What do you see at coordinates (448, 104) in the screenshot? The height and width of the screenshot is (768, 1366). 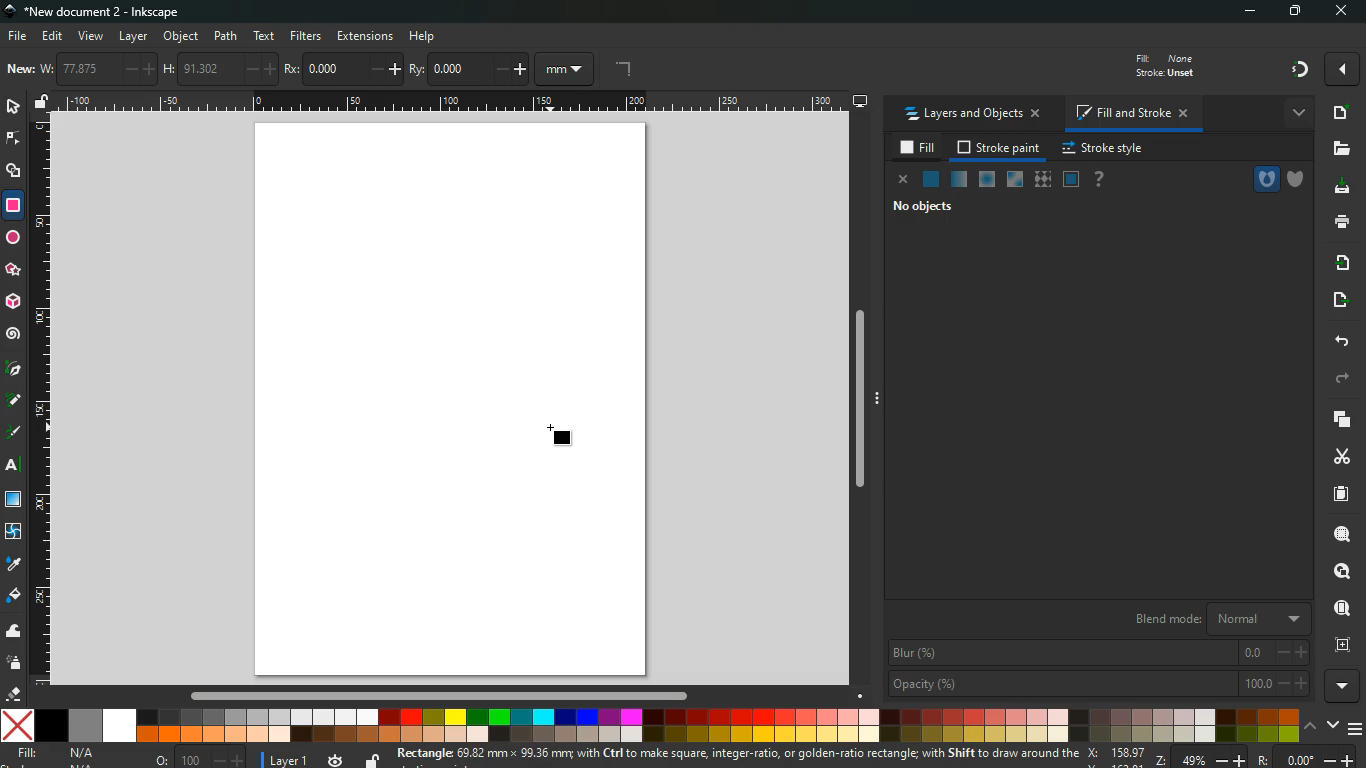 I see `horizontal ruler` at bounding box center [448, 104].